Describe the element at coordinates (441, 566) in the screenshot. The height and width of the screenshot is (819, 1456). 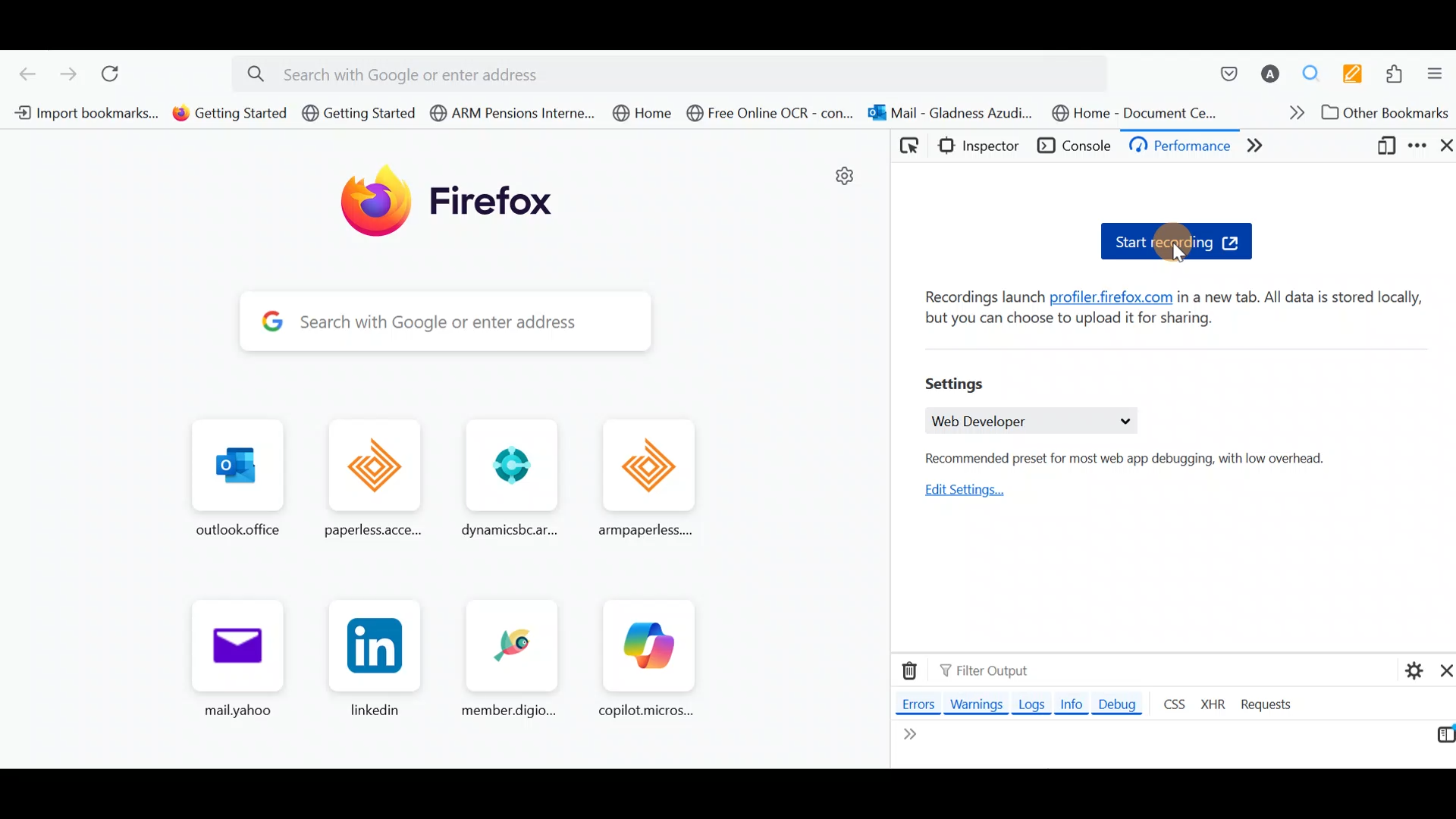
I see `Frequently browsed pages` at that location.